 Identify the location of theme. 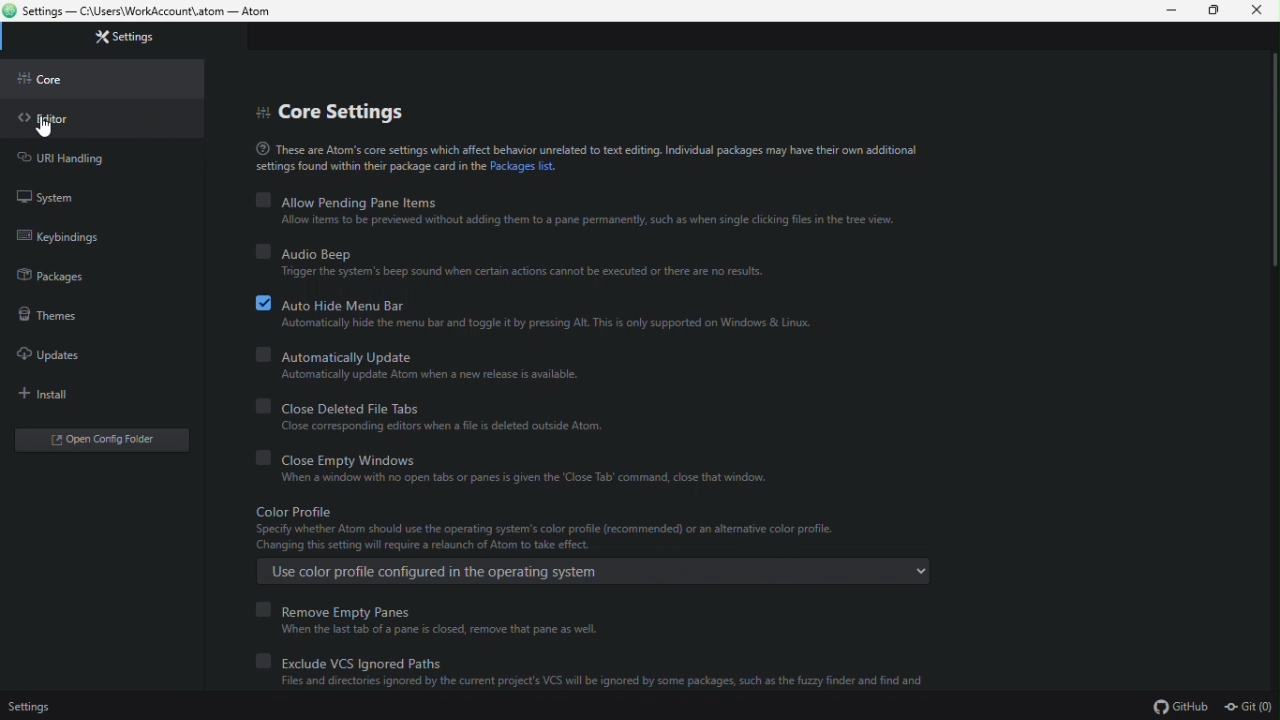
(101, 316).